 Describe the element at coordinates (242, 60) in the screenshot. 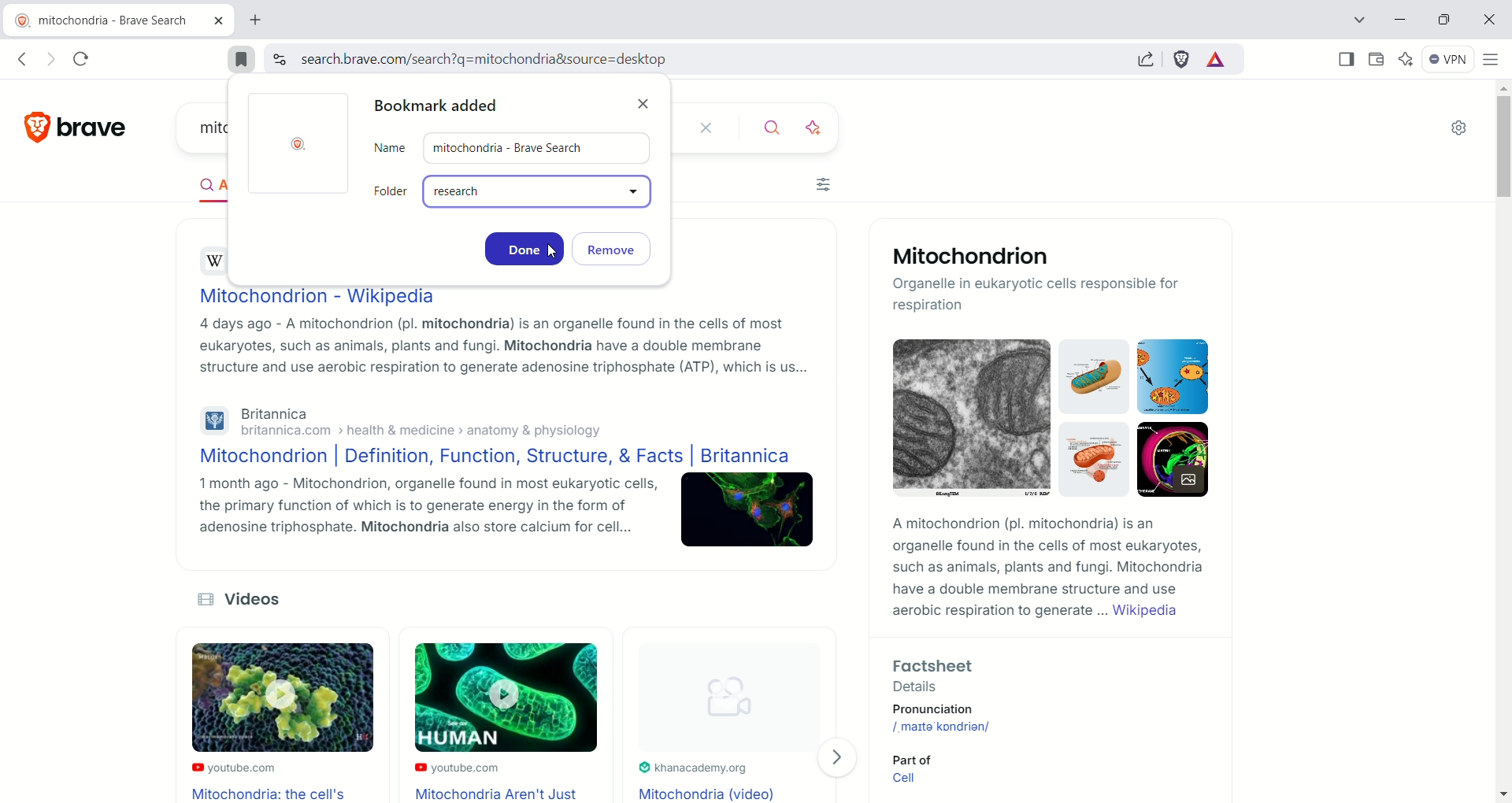

I see `bookmarked` at that location.